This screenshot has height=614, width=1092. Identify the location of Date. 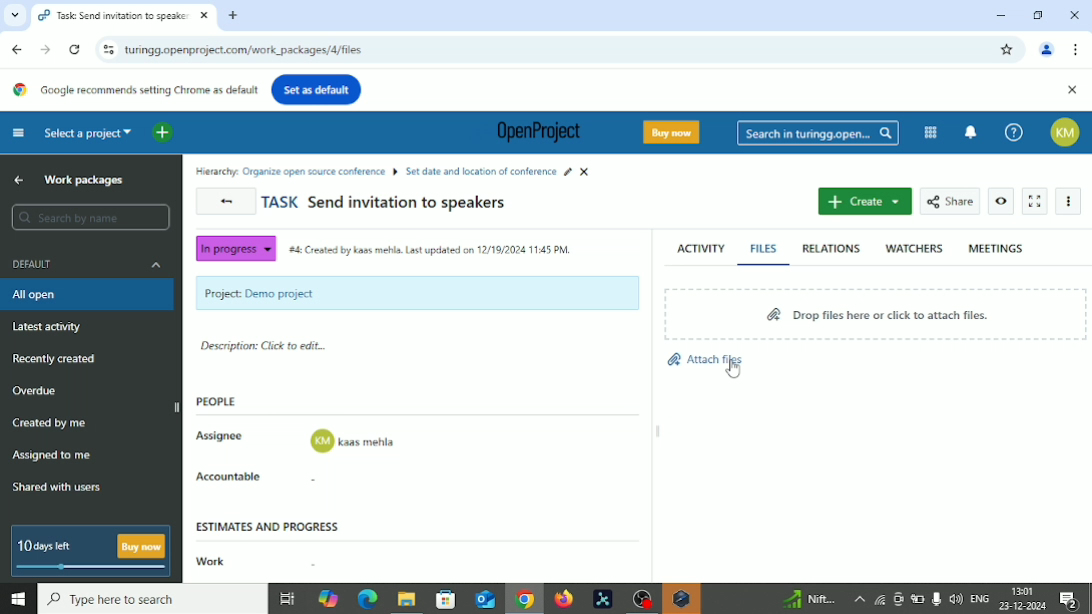
(1024, 606).